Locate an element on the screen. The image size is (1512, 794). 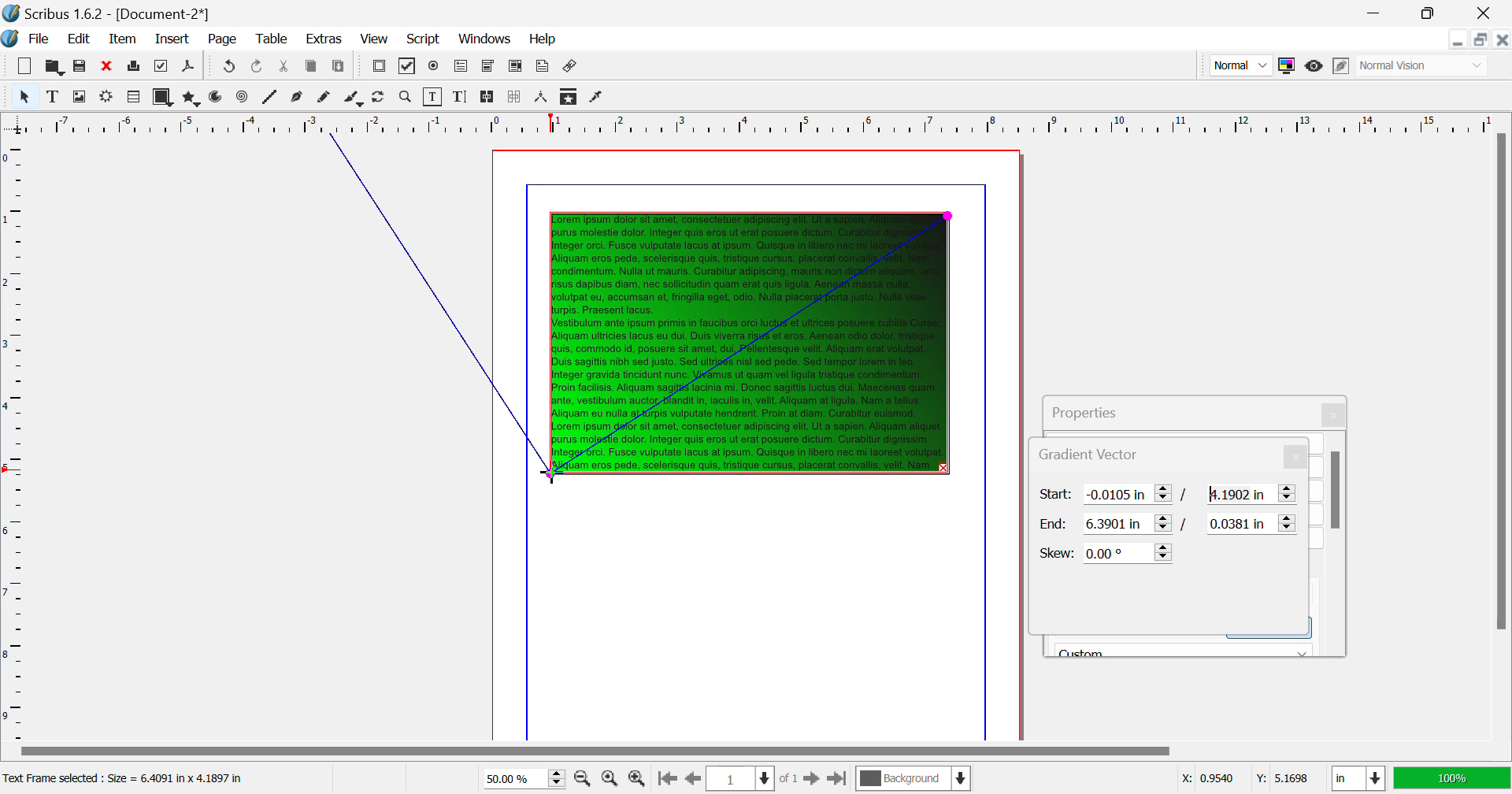
Arcs is located at coordinates (217, 98).